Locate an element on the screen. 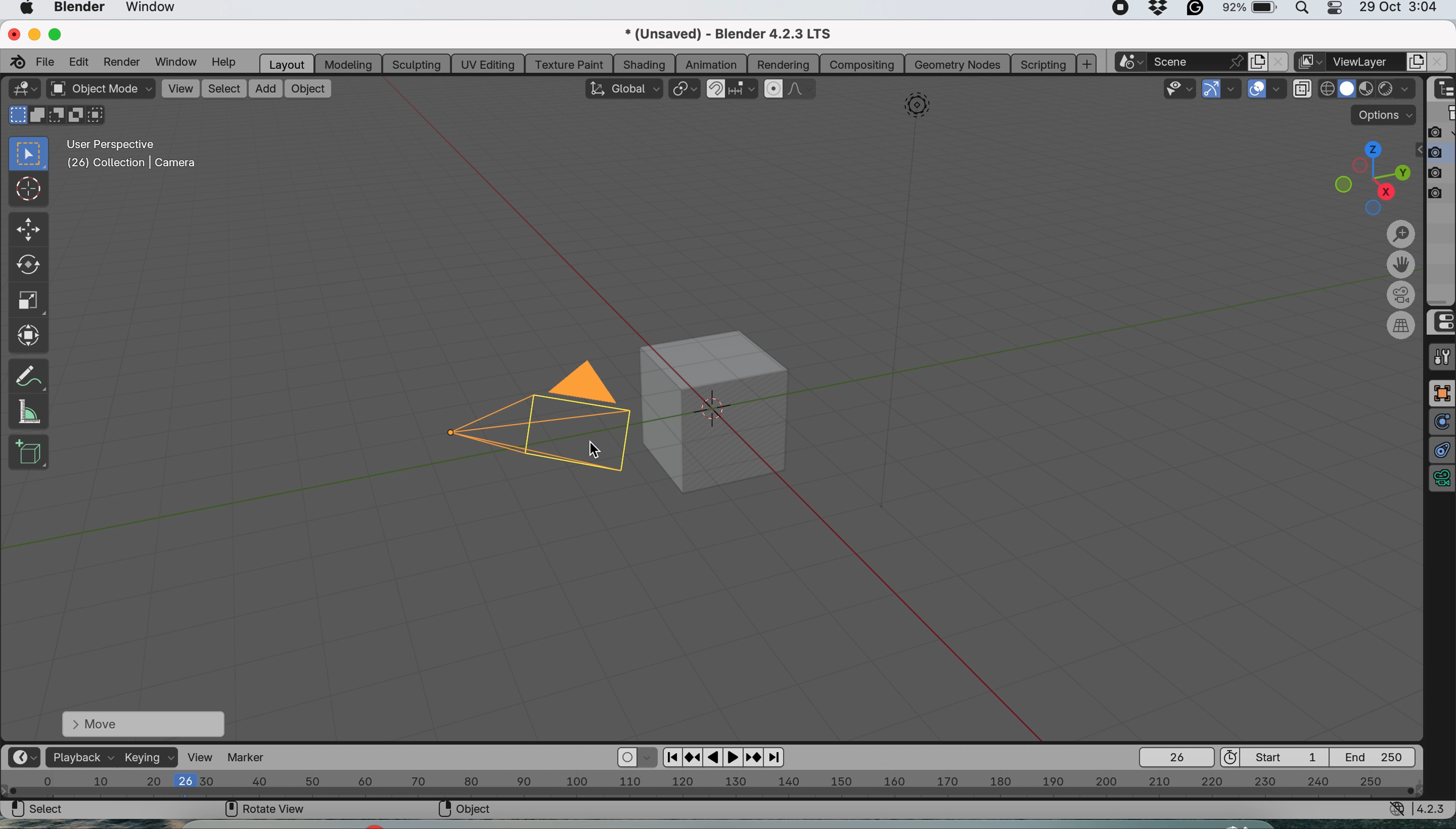  object is located at coordinates (469, 811).